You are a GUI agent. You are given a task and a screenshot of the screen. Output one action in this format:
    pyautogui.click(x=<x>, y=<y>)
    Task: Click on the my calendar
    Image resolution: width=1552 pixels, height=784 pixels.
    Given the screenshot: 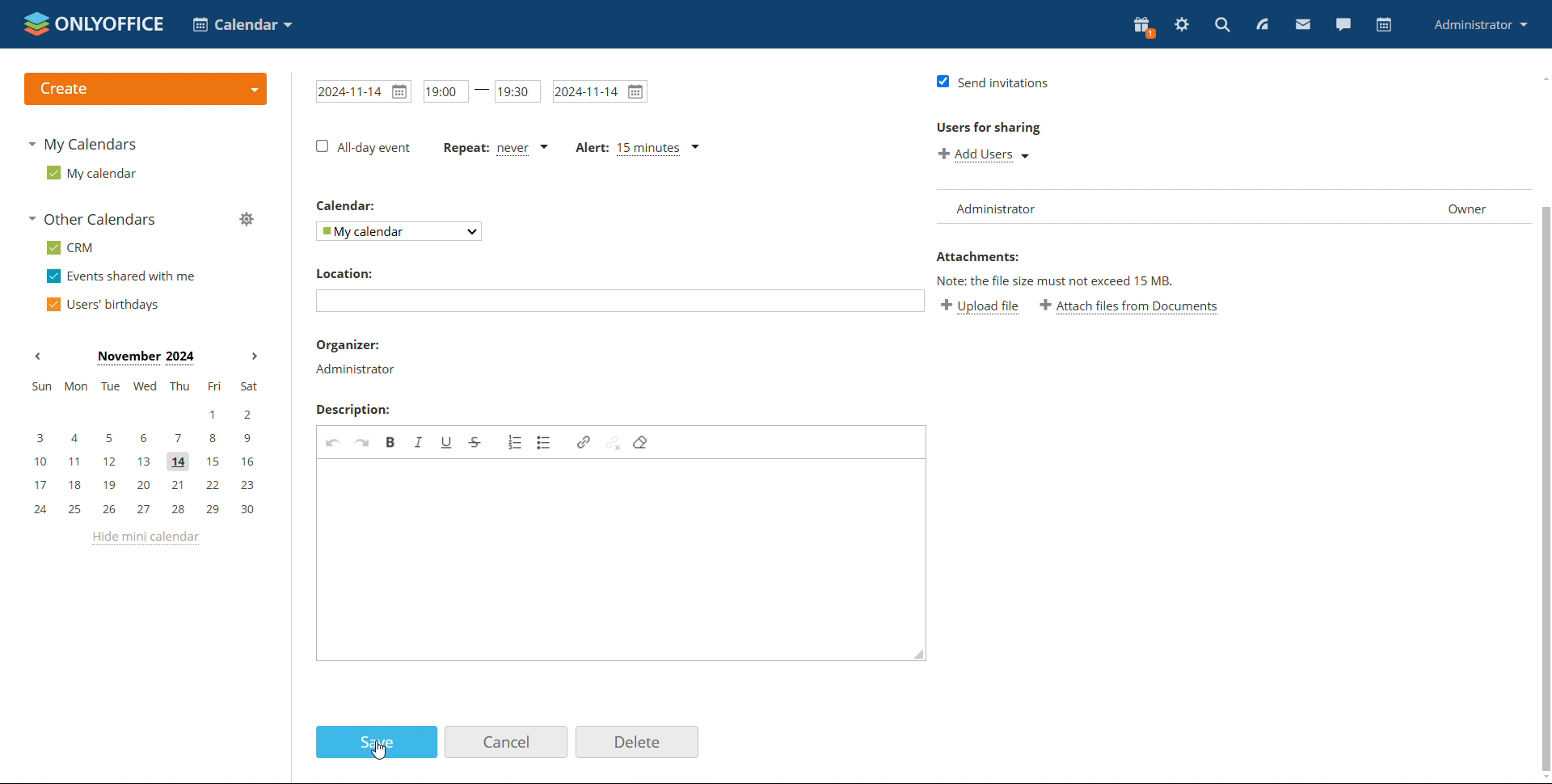 What is the action you would take?
    pyautogui.click(x=399, y=230)
    